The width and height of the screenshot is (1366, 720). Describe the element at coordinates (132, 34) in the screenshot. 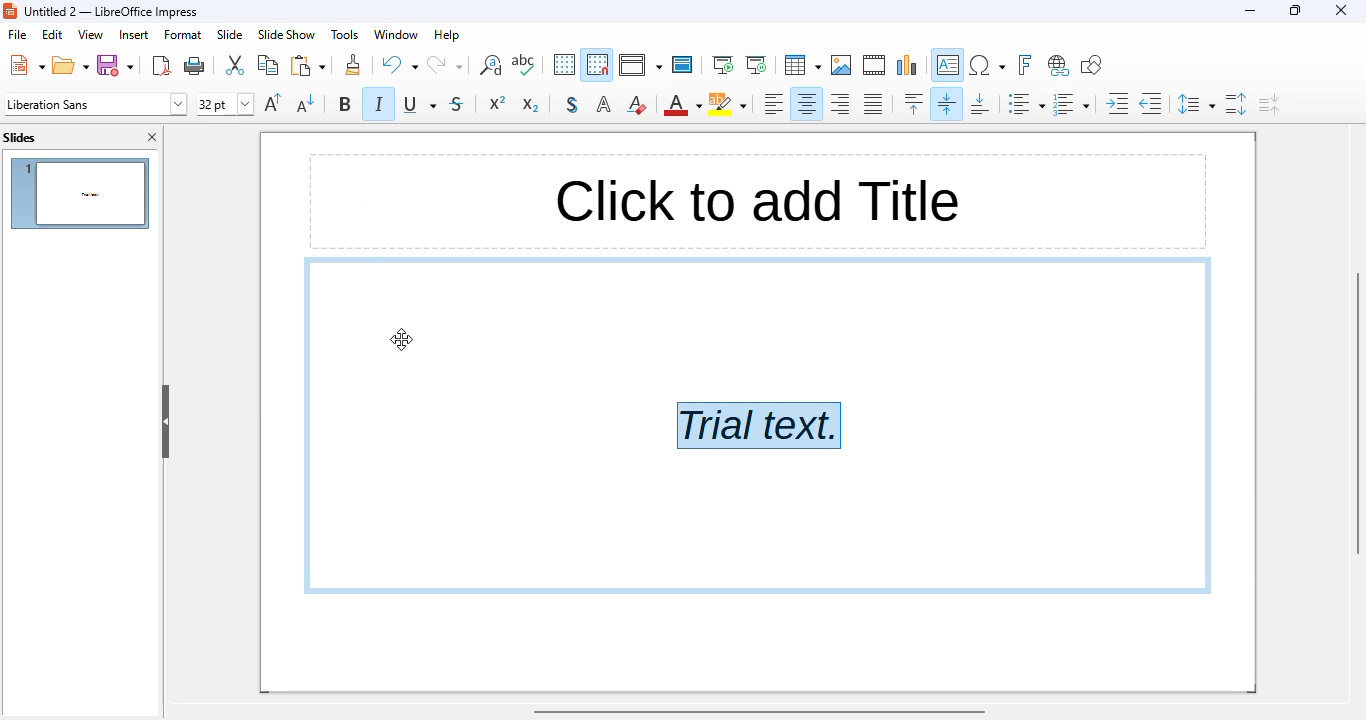

I see `insert` at that location.